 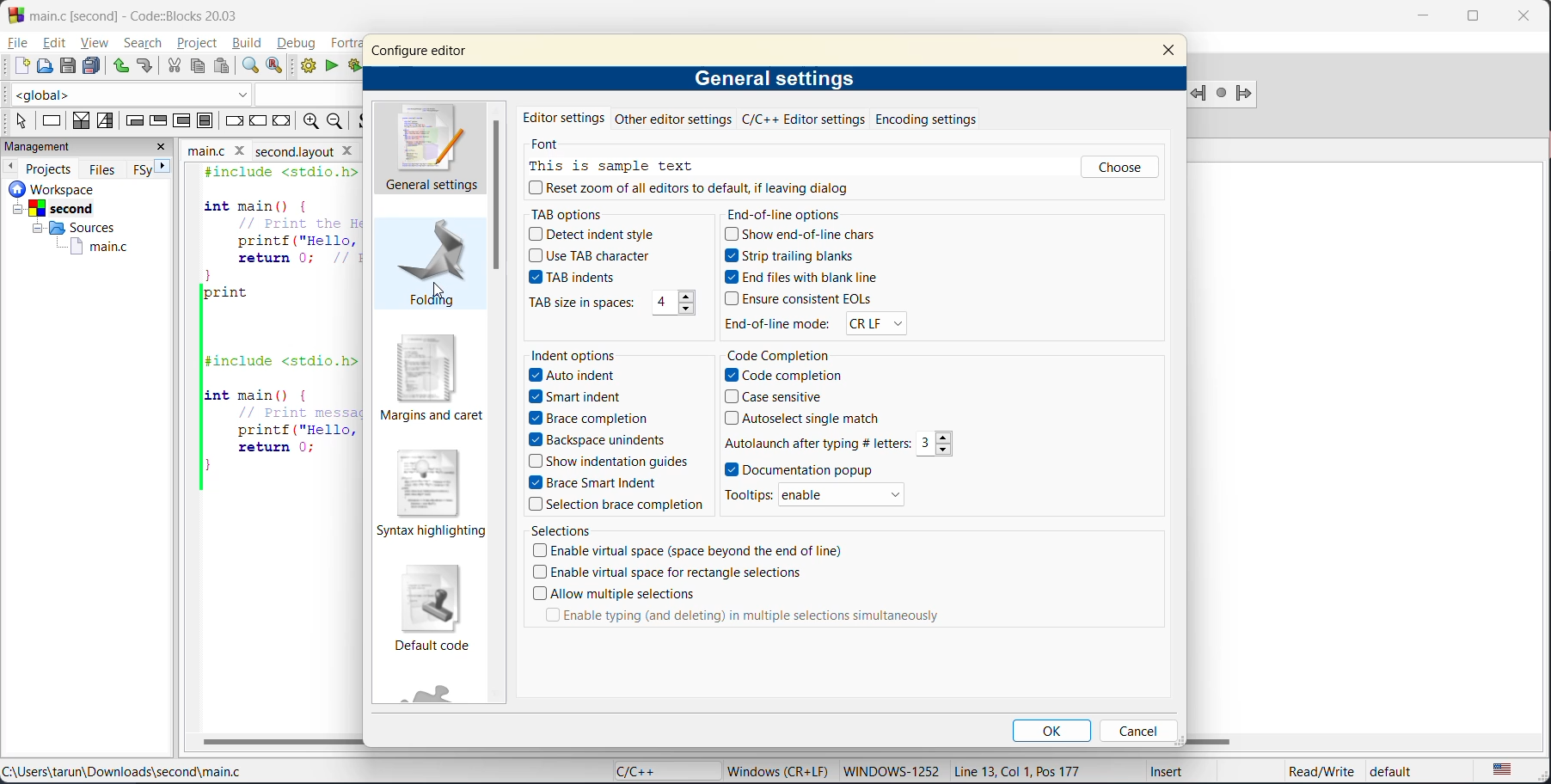 I want to click on Autoselect, so click(x=803, y=418).